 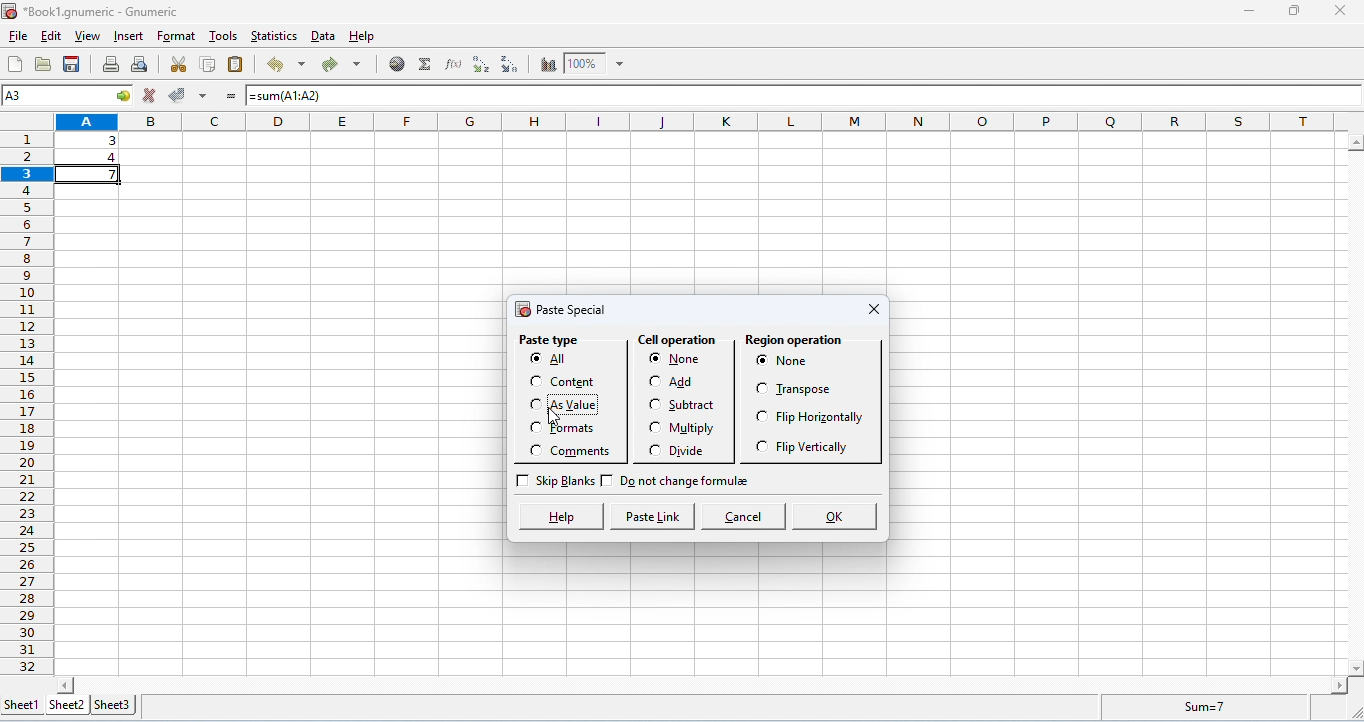 I want to click on multiply, so click(x=699, y=428).